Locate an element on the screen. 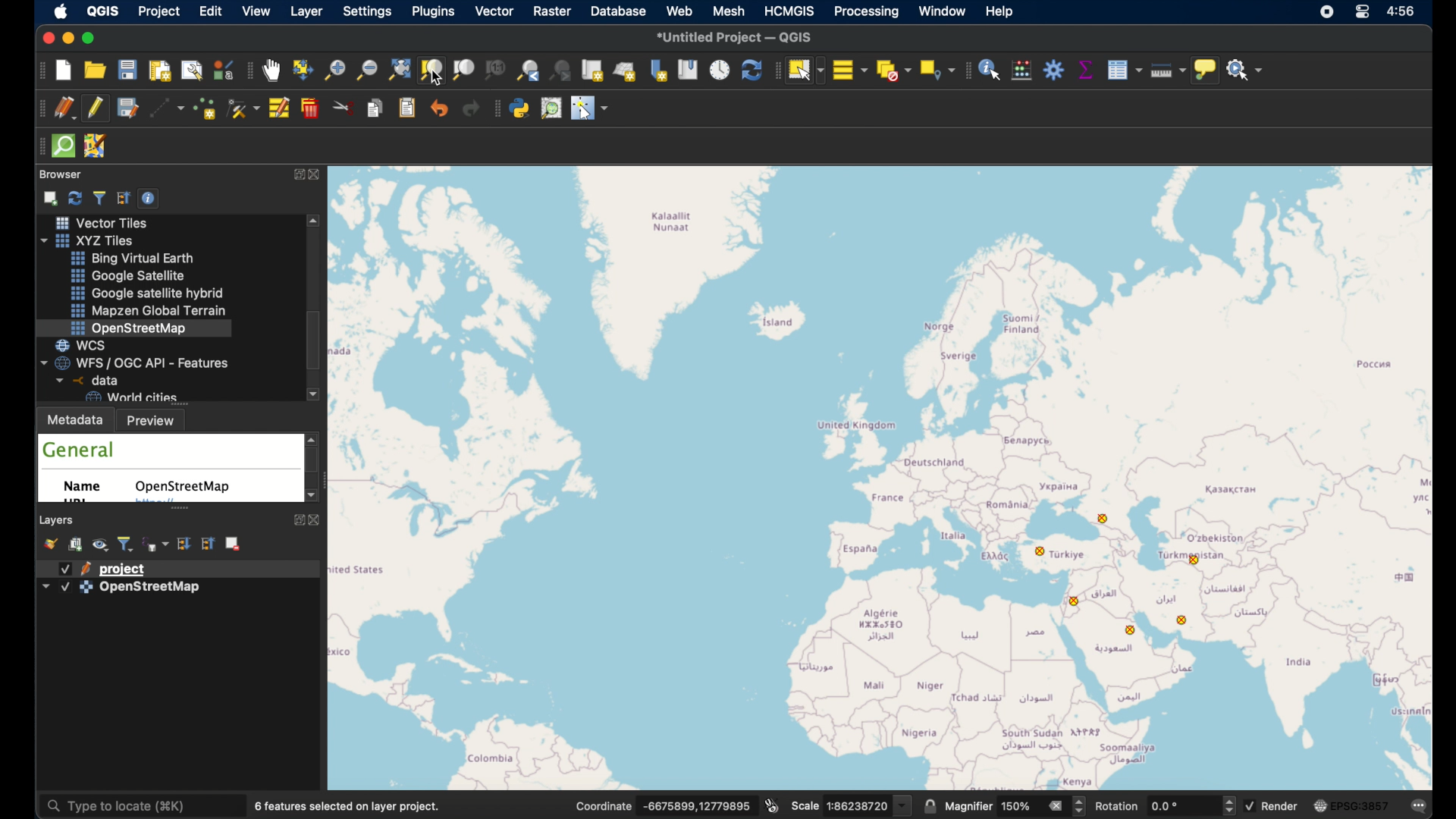 Image resolution: width=1456 pixels, height=819 pixels. style manager is located at coordinates (224, 69).